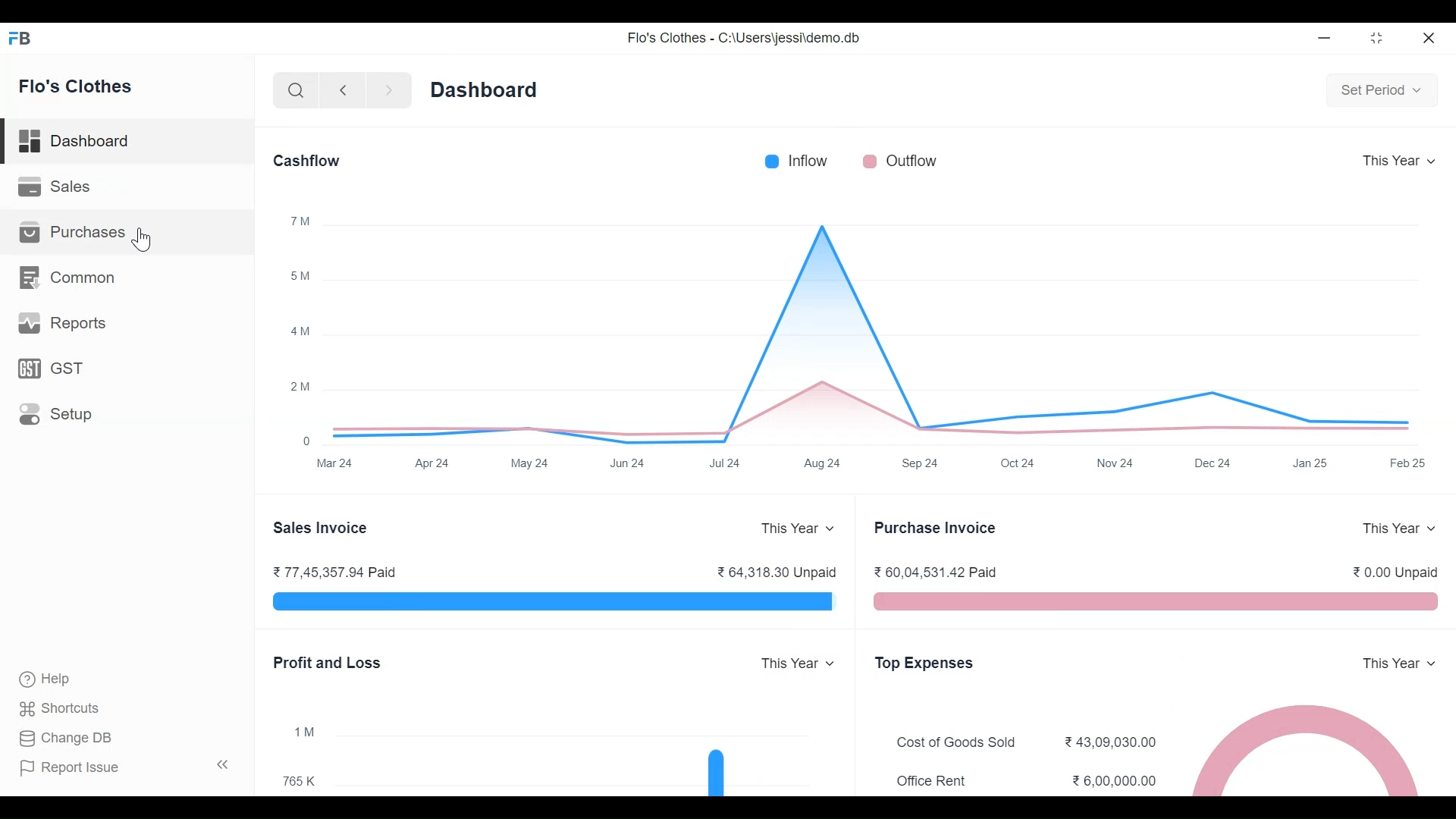 This screenshot has width=1456, height=819. I want to click on Profit and Loss, so click(328, 663).